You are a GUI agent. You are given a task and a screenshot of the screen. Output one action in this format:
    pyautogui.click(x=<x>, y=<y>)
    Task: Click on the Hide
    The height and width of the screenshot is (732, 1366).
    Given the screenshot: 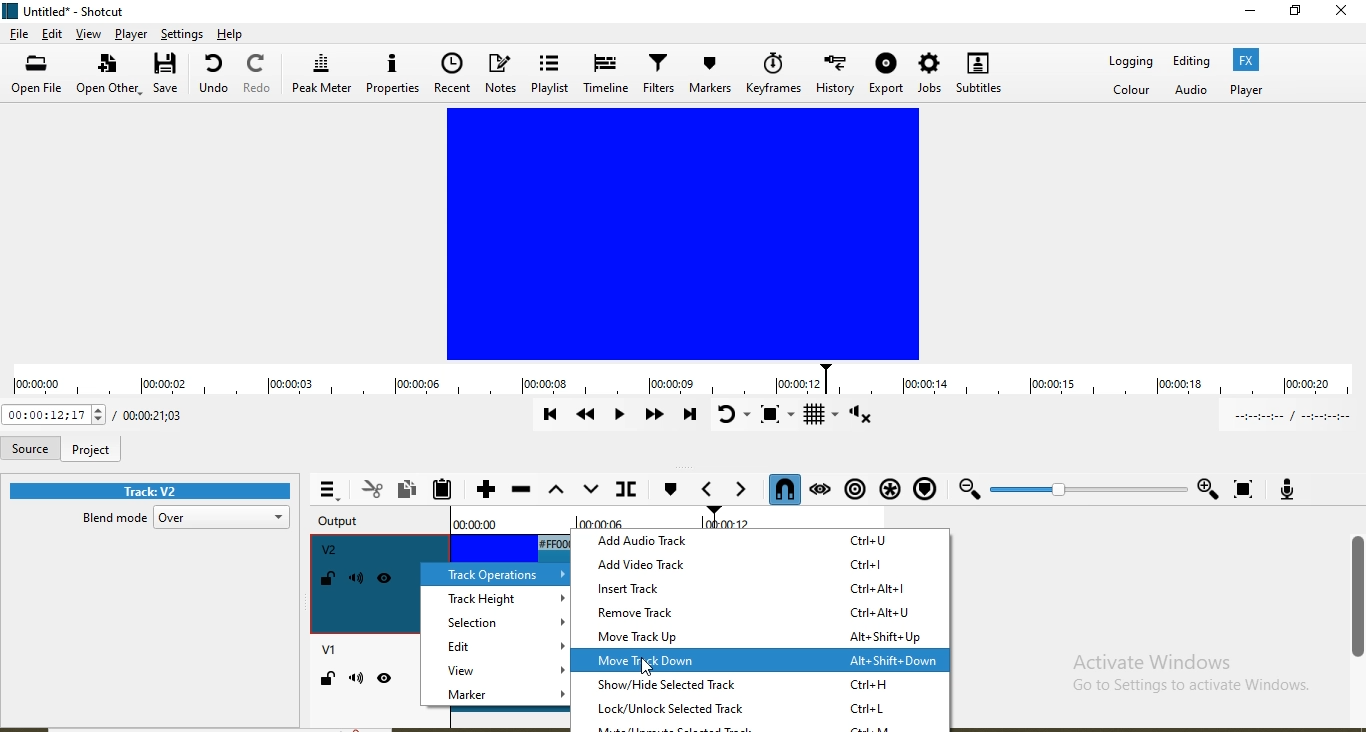 What is the action you would take?
    pyautogui.click(x=386, y=681)
    